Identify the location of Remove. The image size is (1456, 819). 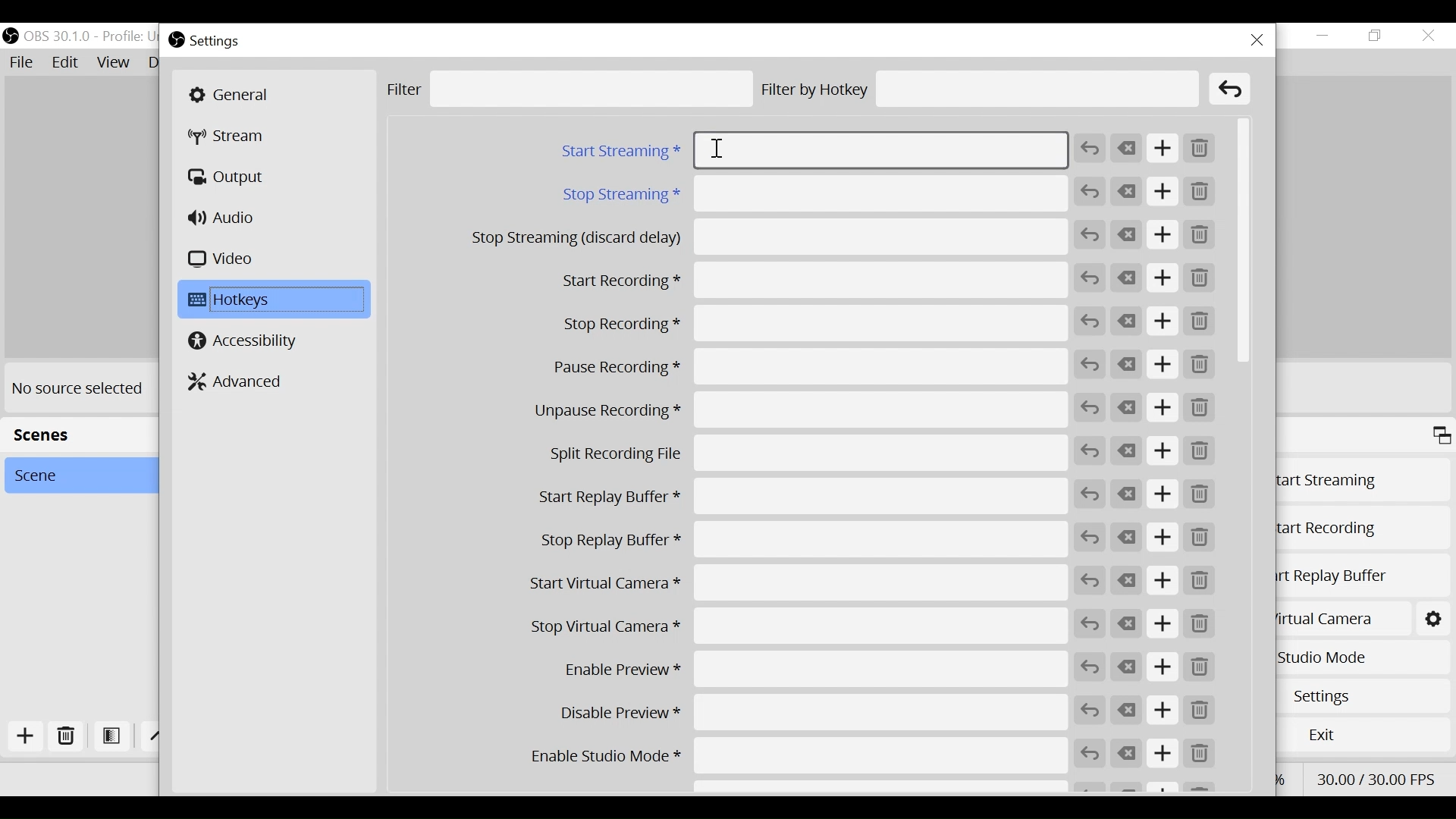
(1199, 151).